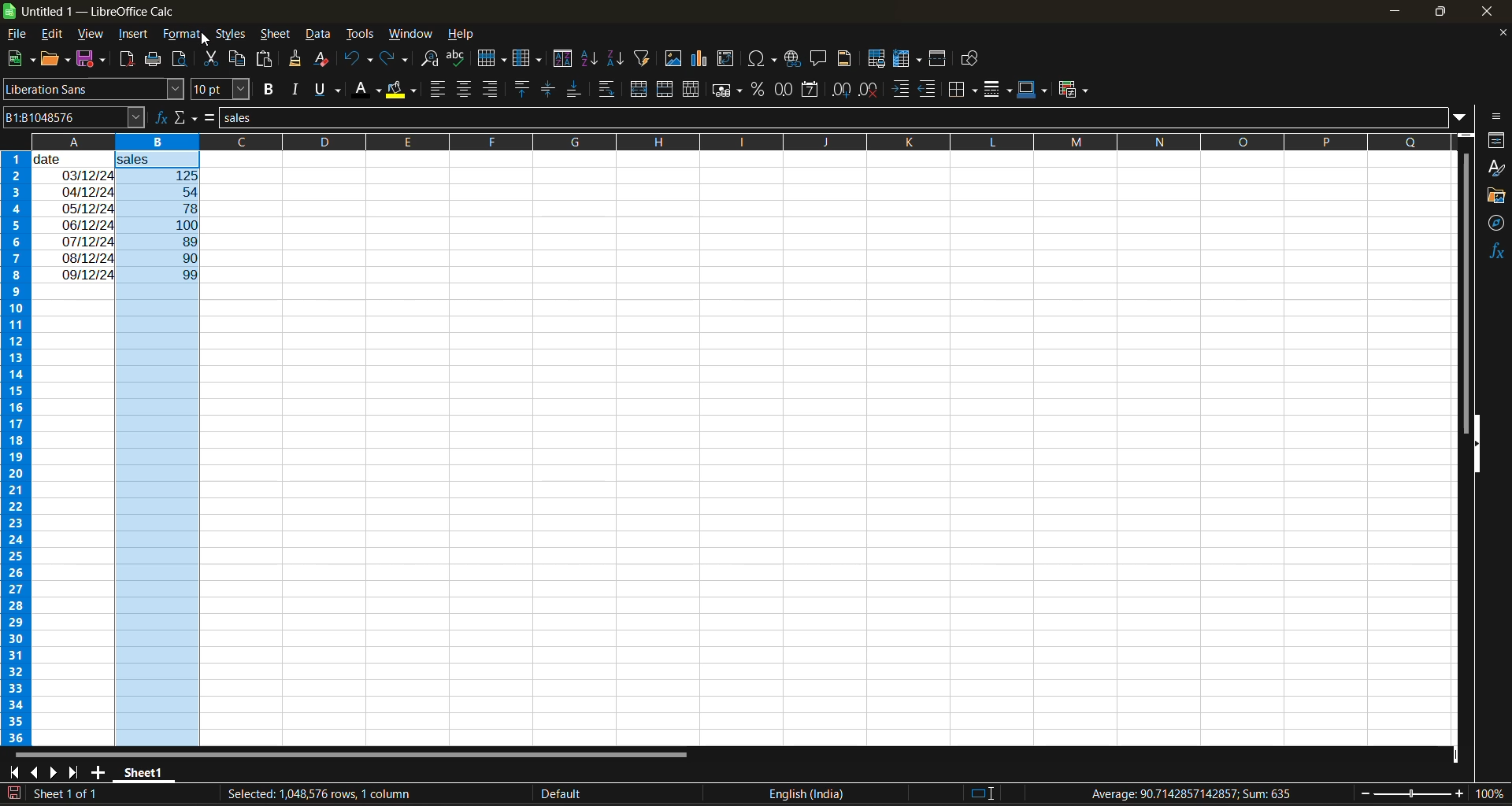  Describe the element at coordinates (267, 59) in the screenshot. I see `paste` at that location.